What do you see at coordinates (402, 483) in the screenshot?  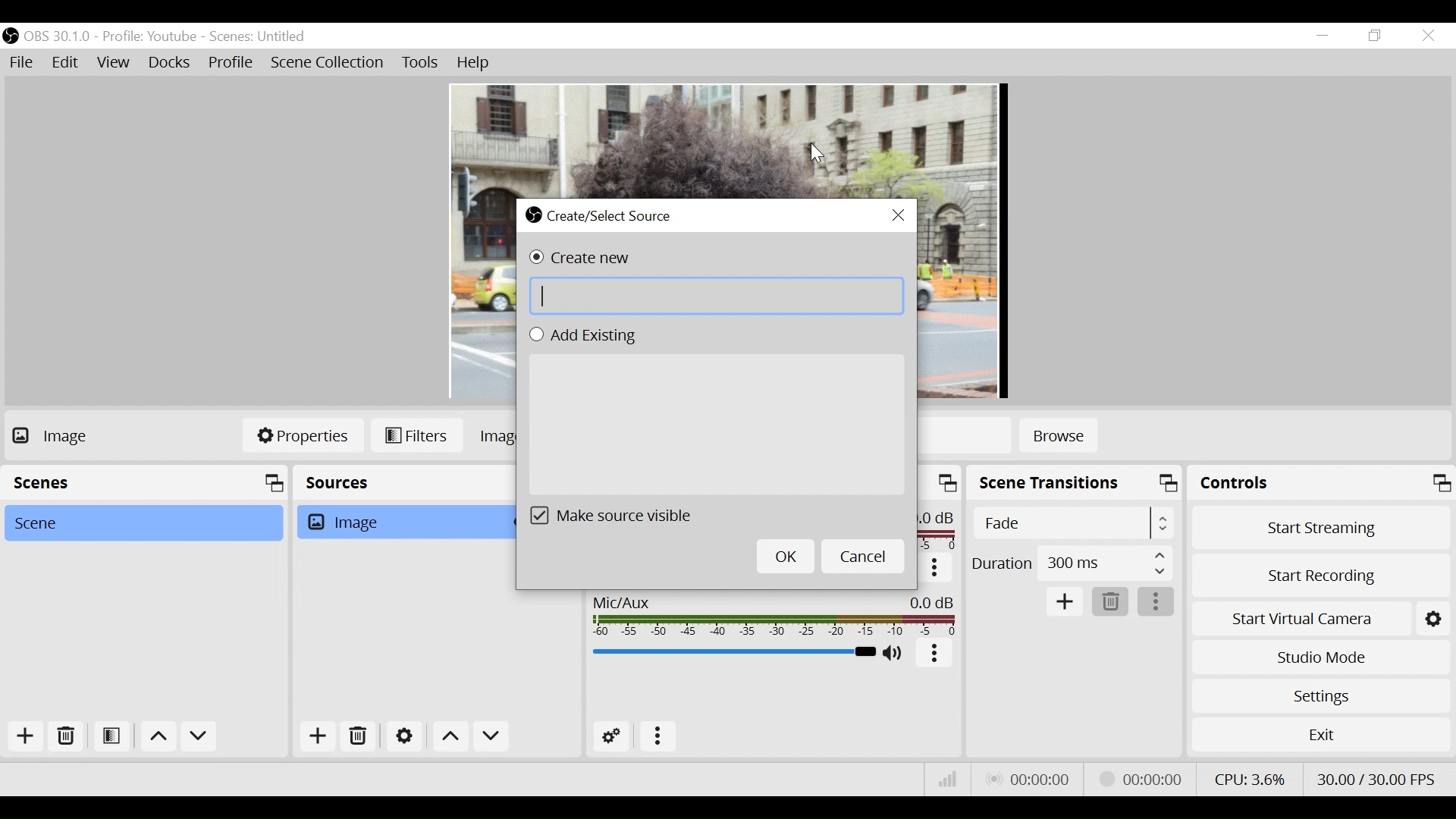 I see `Sources` at bounding box center [402, 483].